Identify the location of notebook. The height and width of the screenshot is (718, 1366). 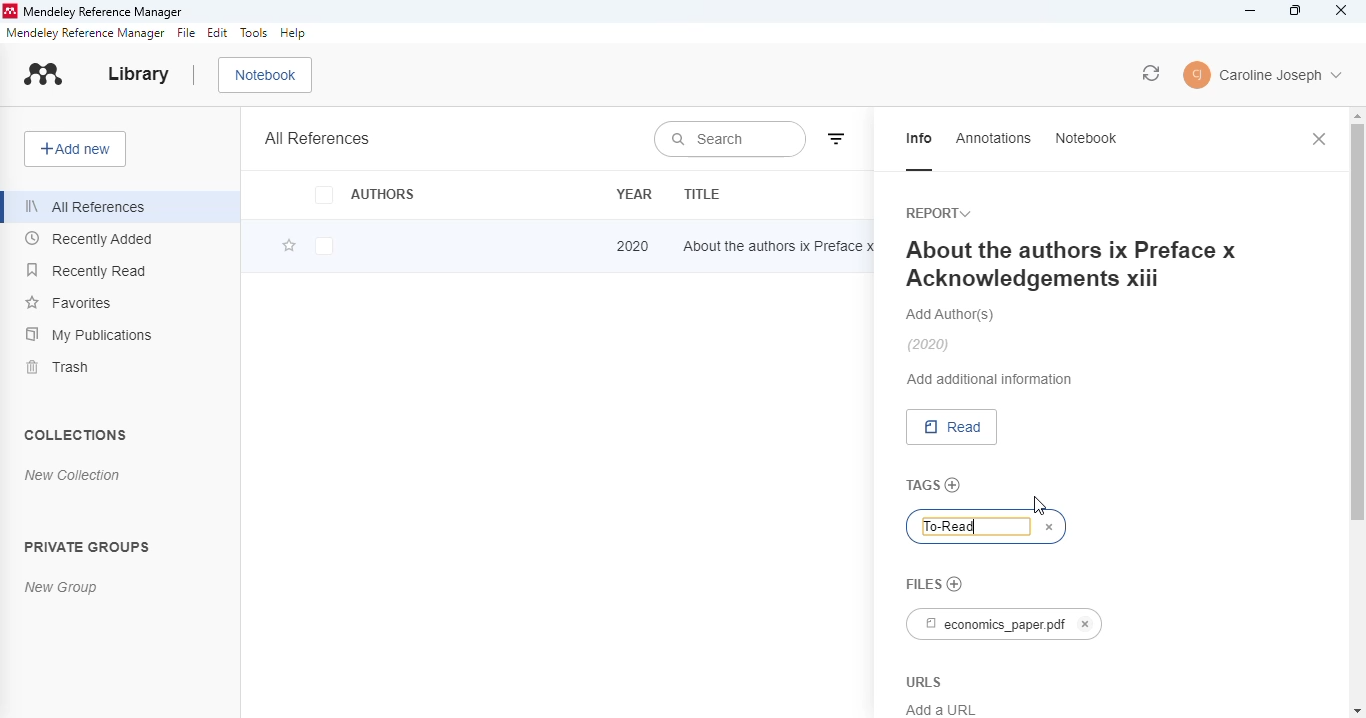
(1085, 137).